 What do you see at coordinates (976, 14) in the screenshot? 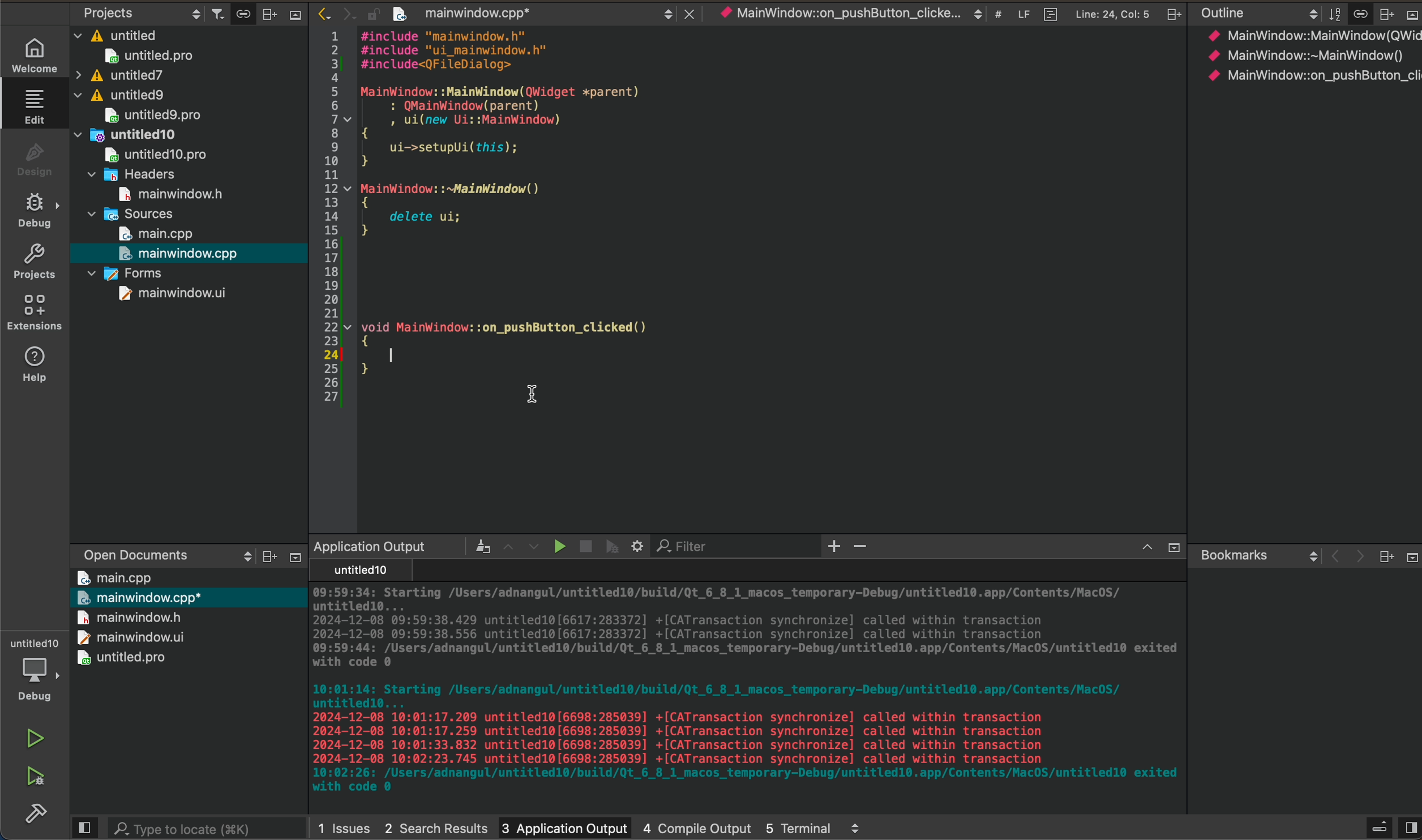
I see `Scroll` at bounding box center [976, 14].